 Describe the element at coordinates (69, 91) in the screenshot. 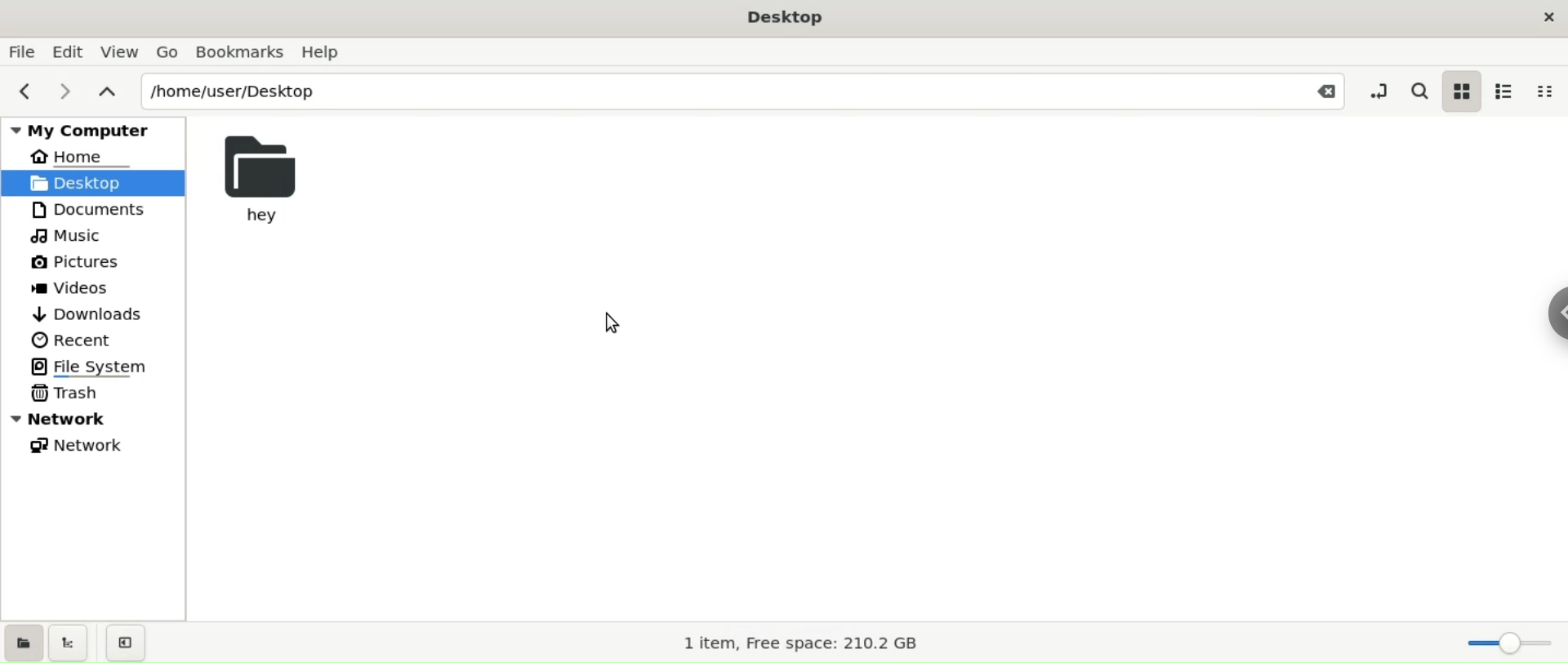

I see `next` at that location.